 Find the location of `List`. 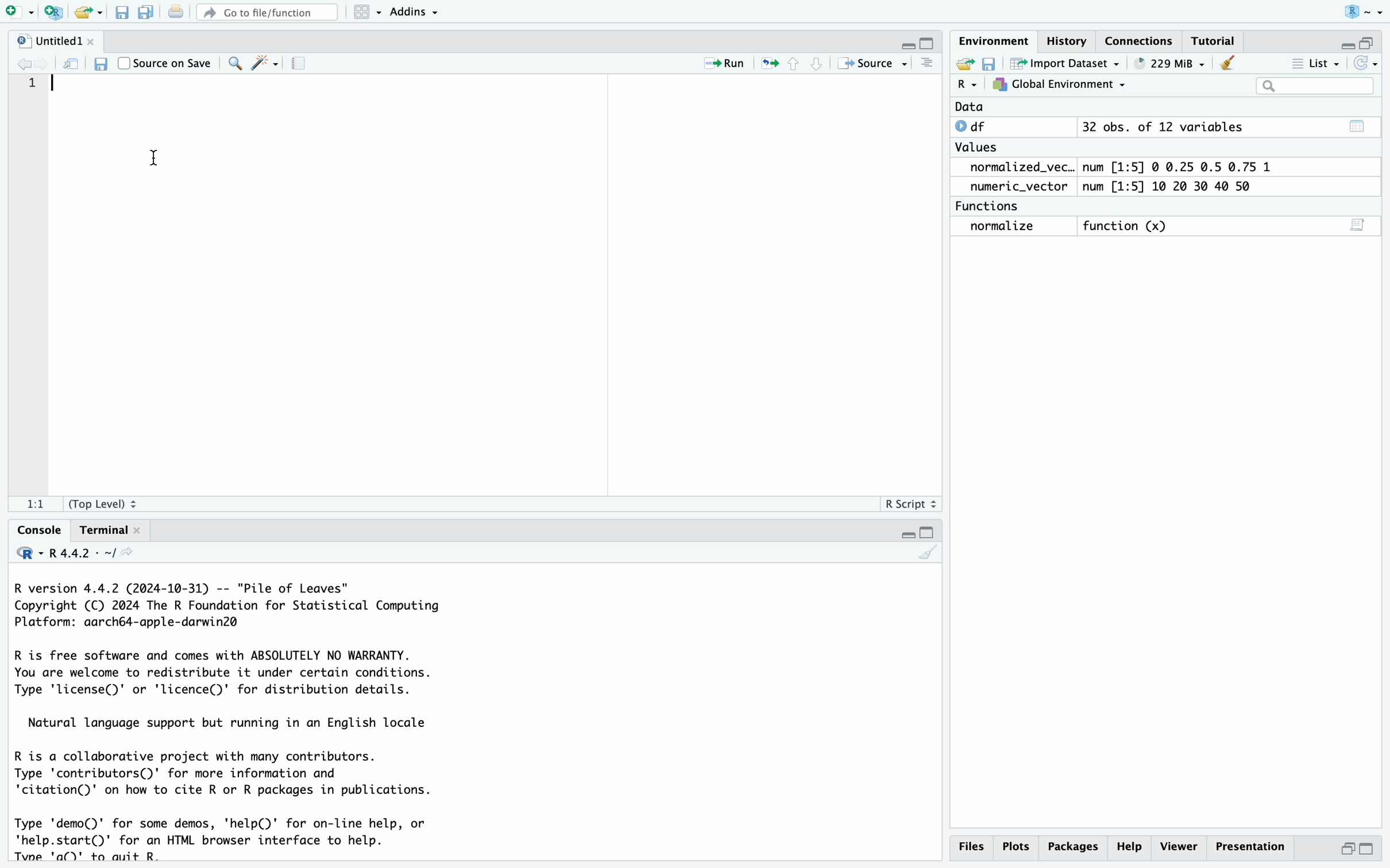

List is located at coordinates (1315, 65).